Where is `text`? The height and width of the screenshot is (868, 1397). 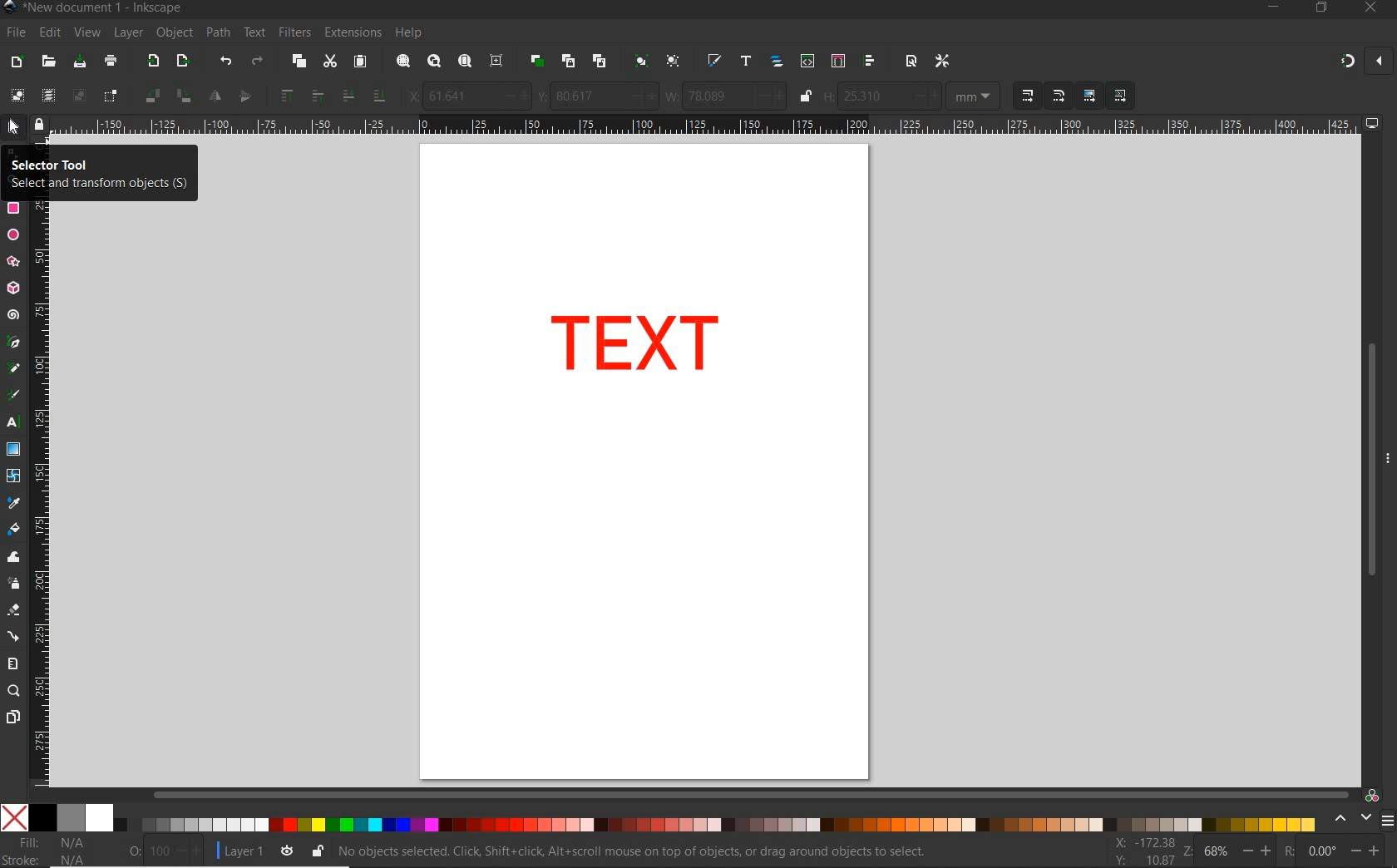
text is located at coordinates (255, 33).